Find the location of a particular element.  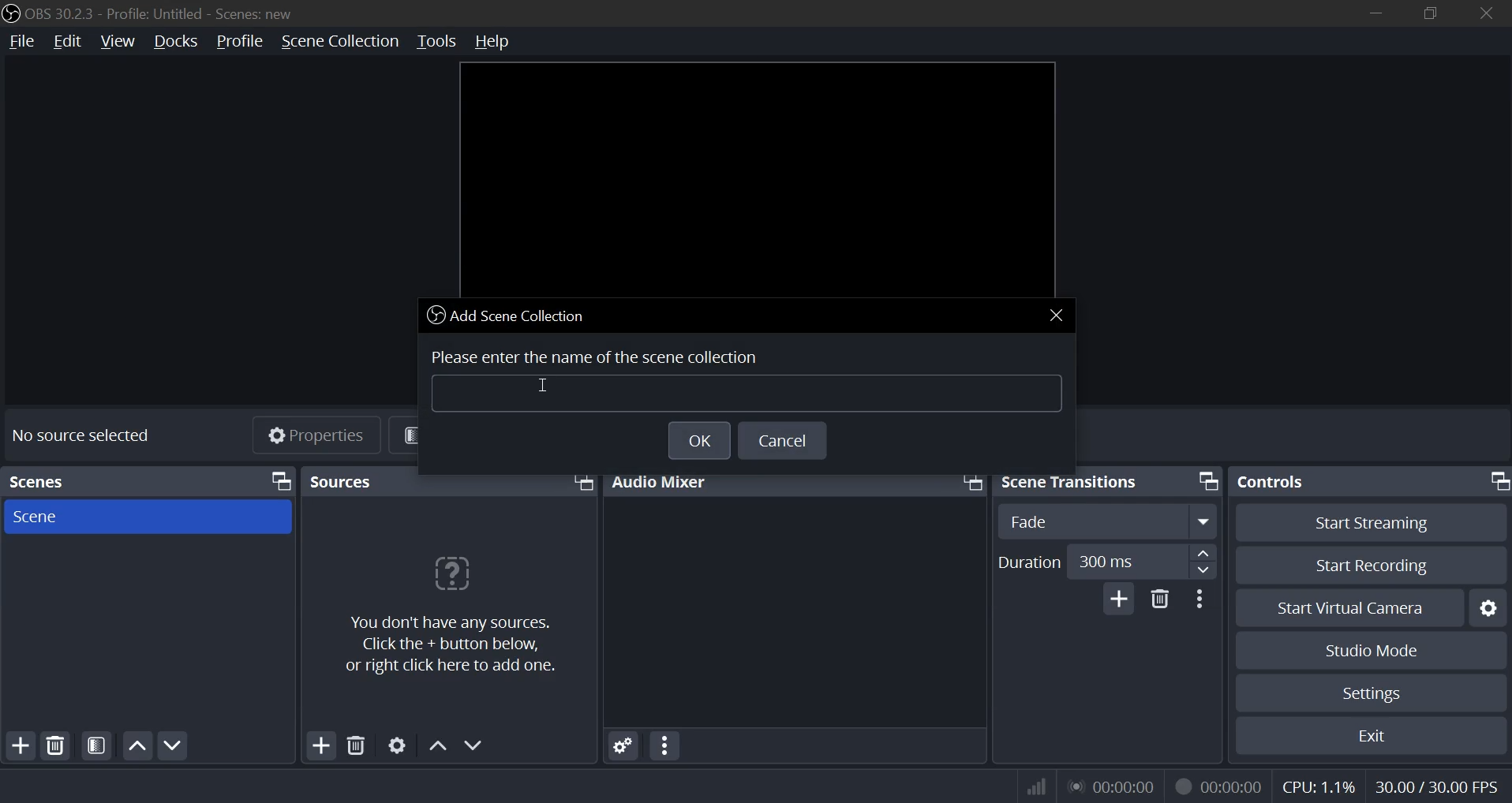

close is located at coordinates (1484, 13).